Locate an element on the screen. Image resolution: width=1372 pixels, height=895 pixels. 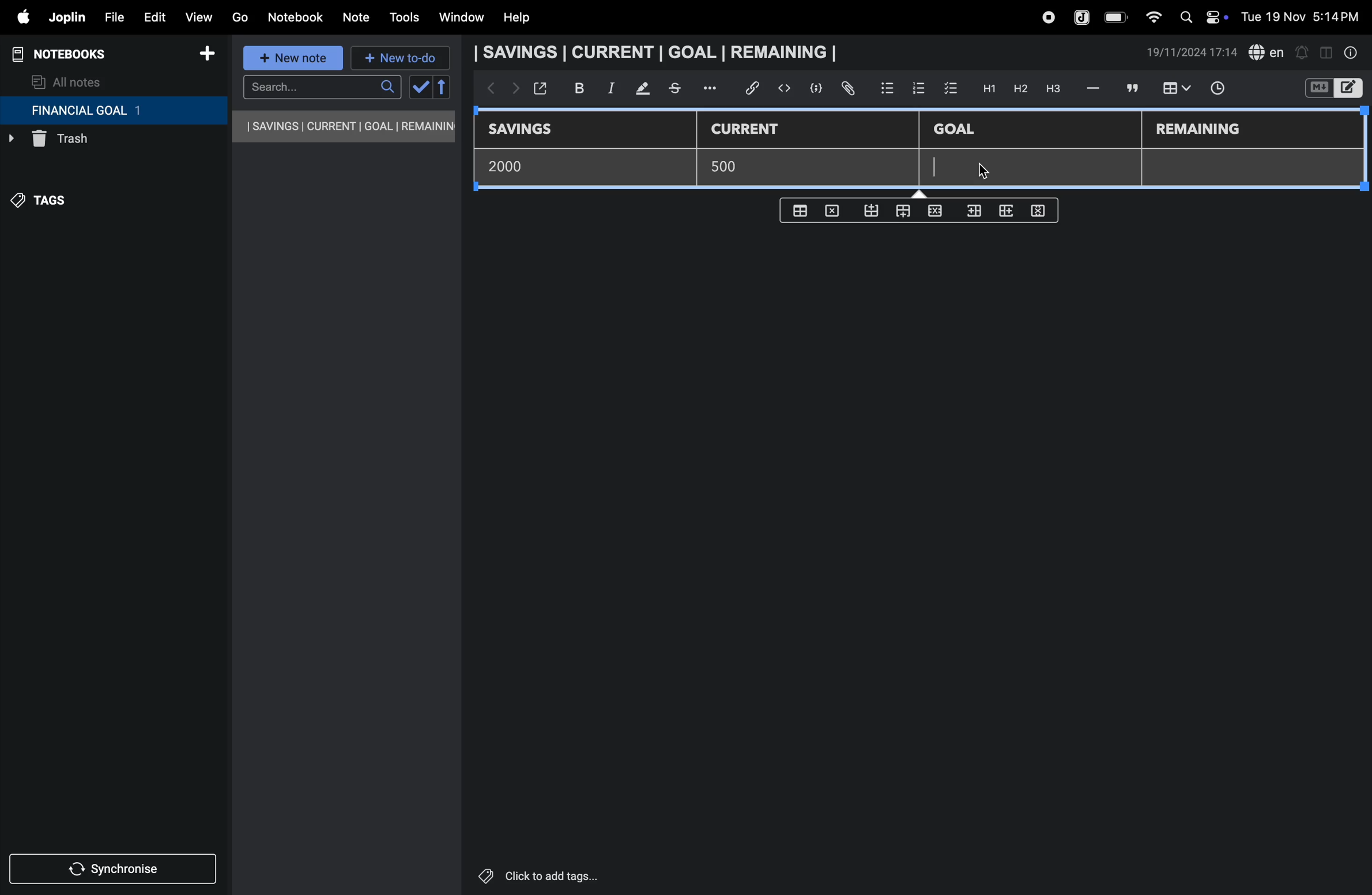
open window is located at coordinates (539, 88).